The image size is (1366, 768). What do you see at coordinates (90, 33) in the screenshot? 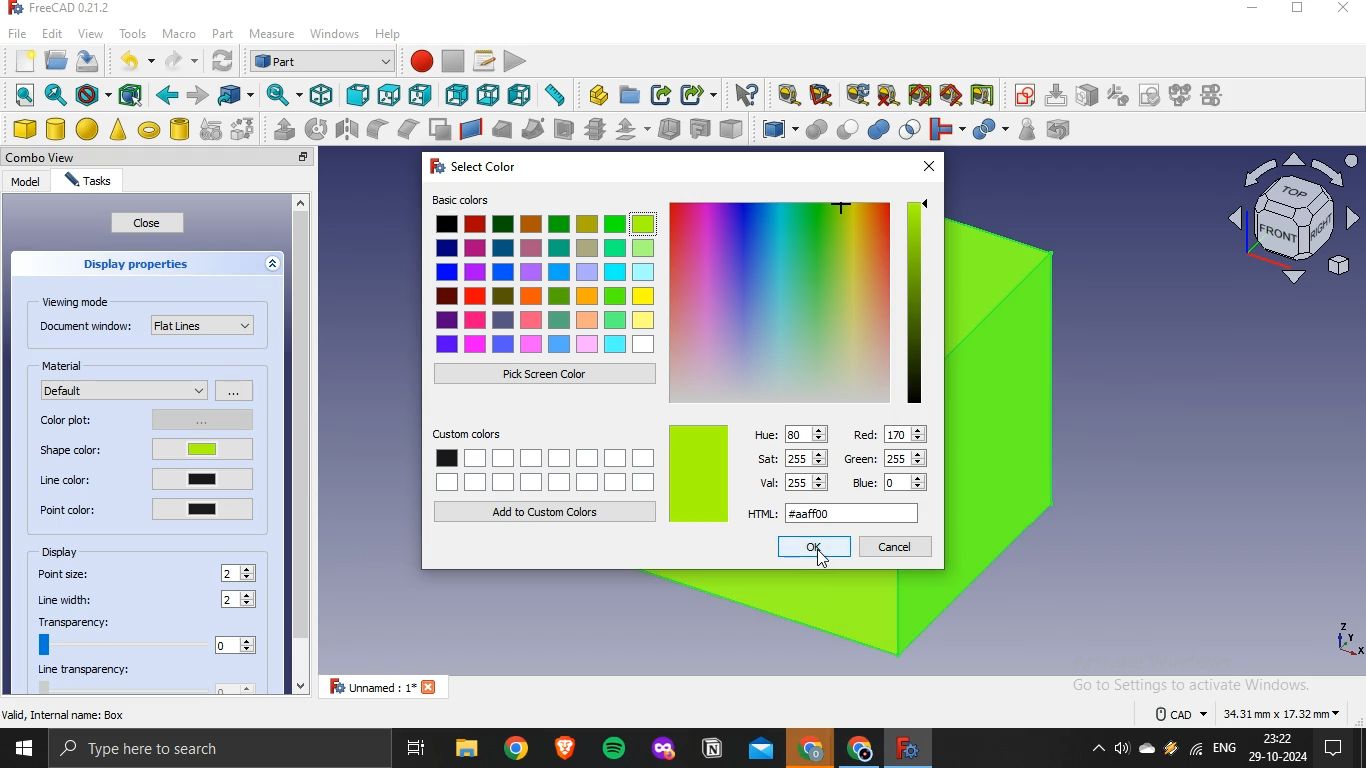
I see `view` at bounding box center [90, 33].